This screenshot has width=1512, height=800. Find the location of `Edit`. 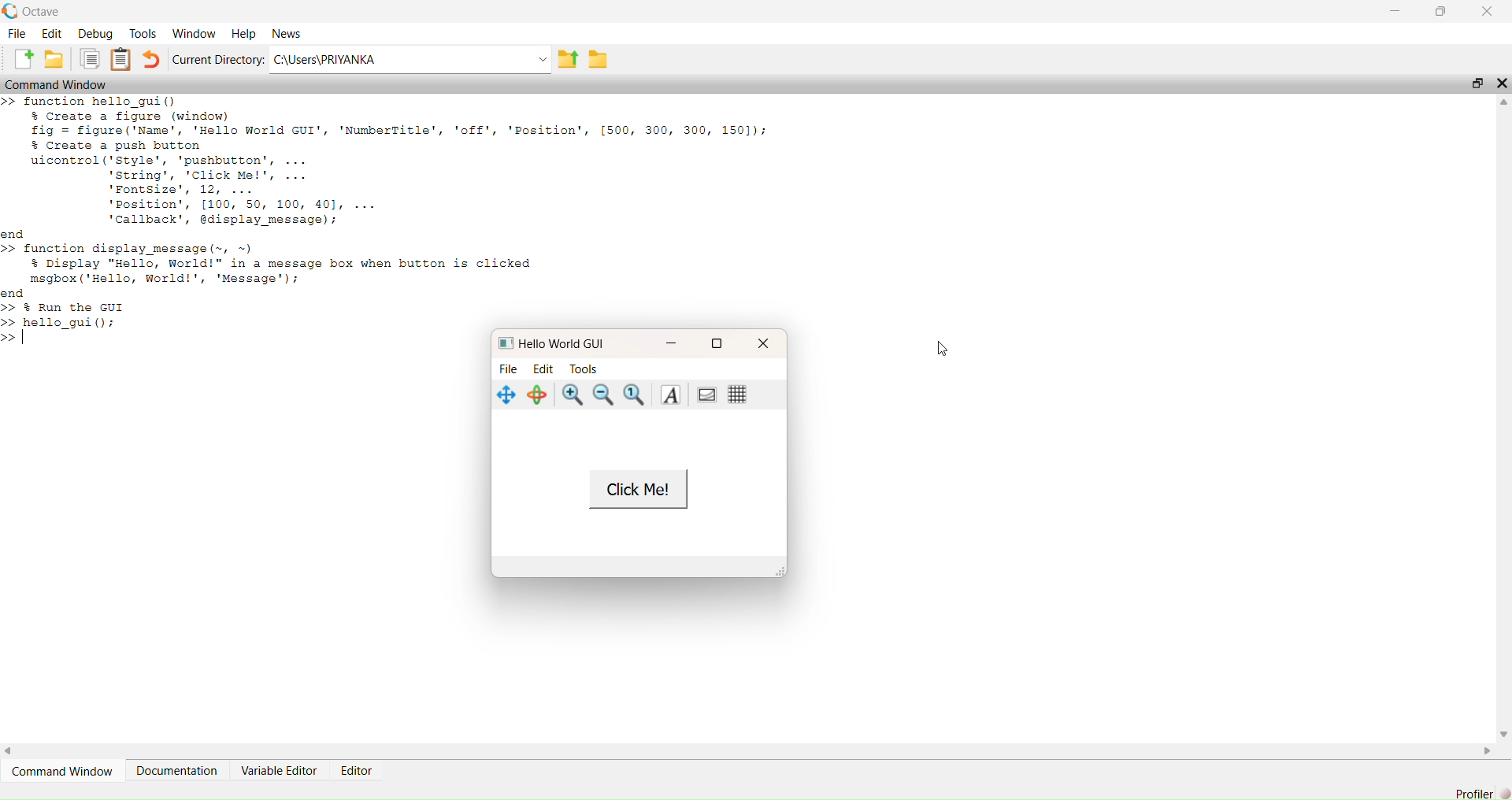

Edit is located at coordinates (543, 368).